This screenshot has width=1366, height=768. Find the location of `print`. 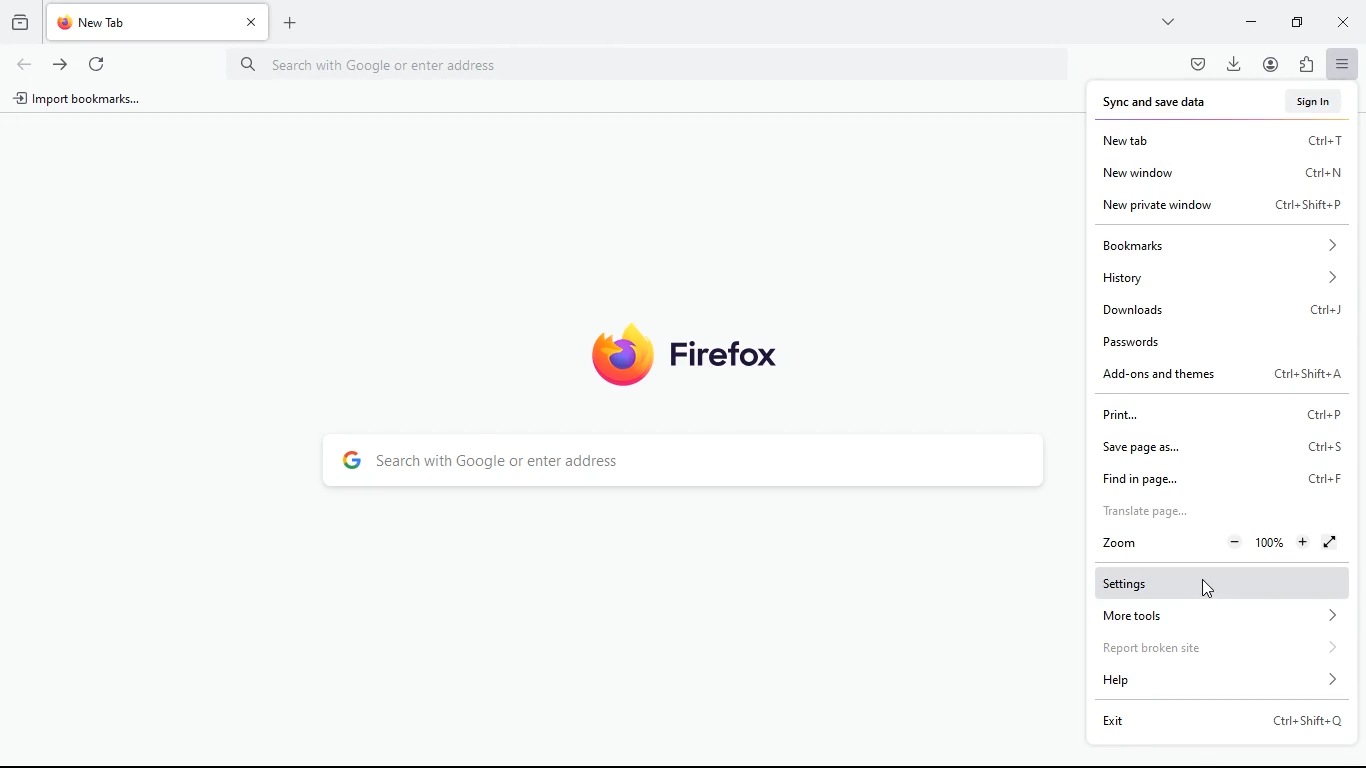

print is located at coordinates (1217, 414).